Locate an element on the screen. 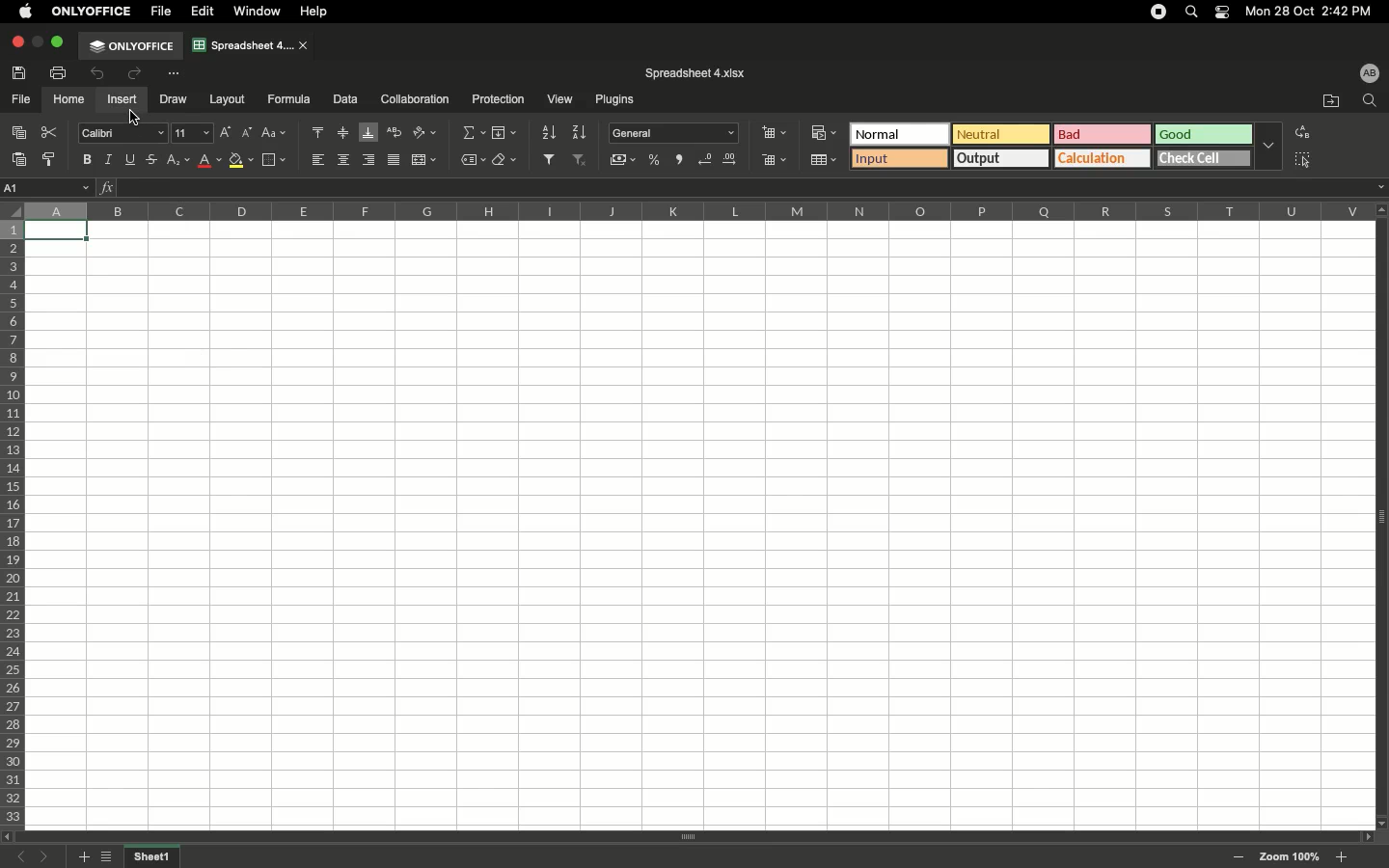 The height and width of the screenshot is (868, 1389). Layout is located at coordinates (228, 99).